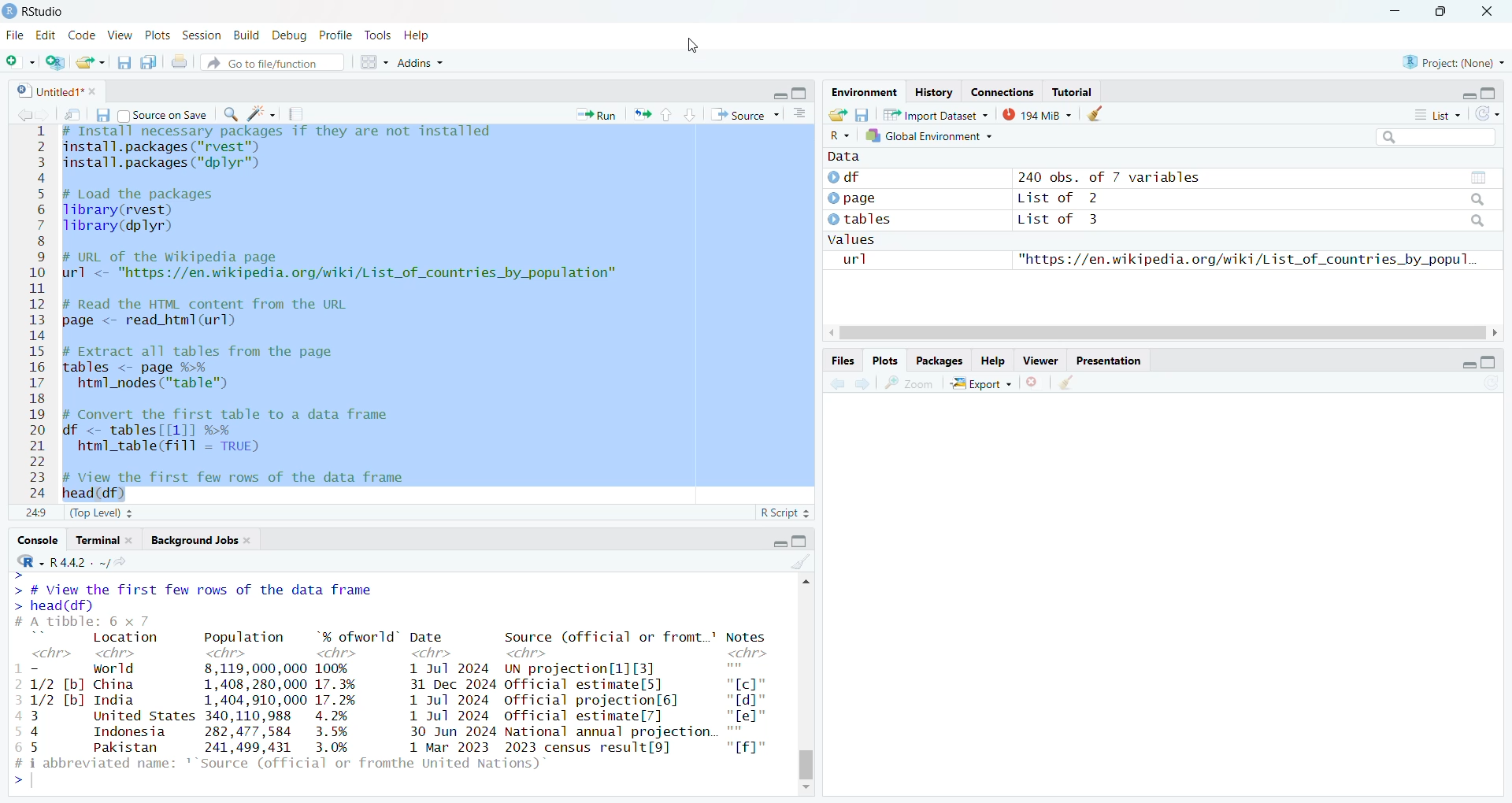  What do you see at coordinates (939, 361) in the screenshot?
I see `Packages` at bounding box center [939, 361].